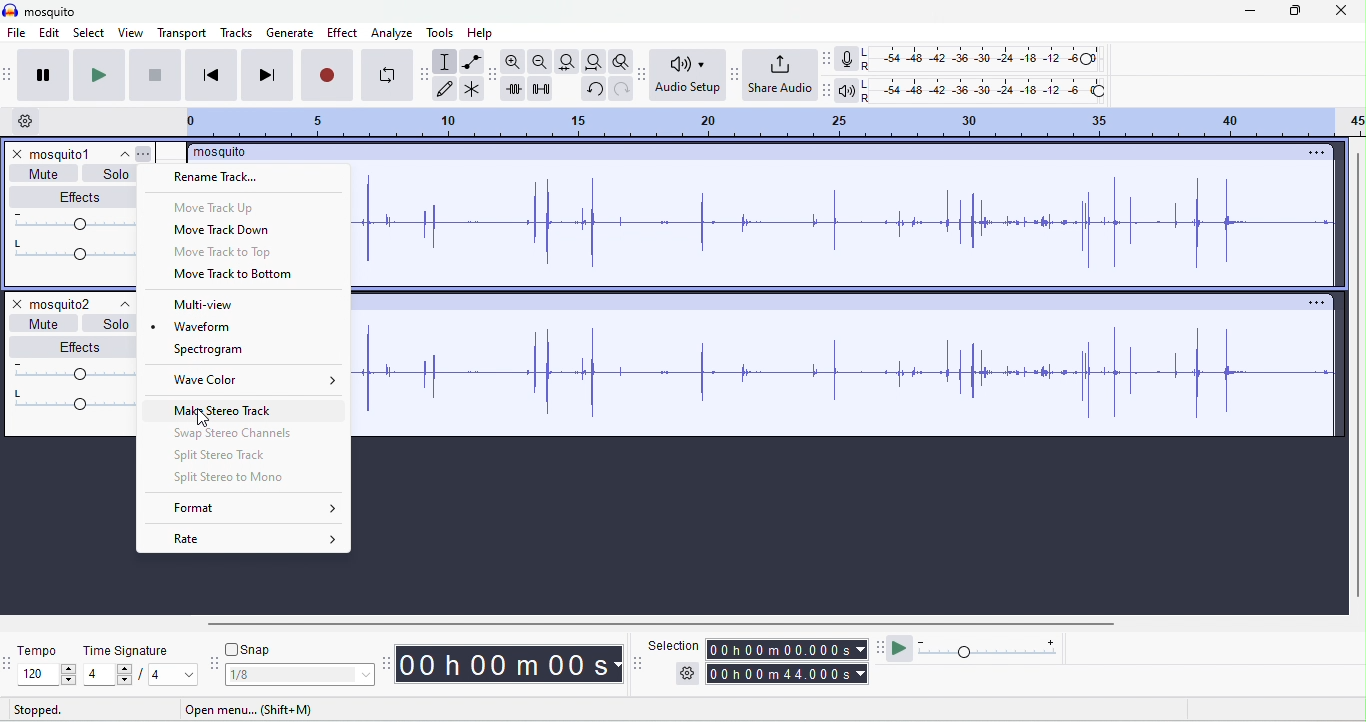  Describe the element at coordinates (773, 123) in the screenshot. I see `timeline` at that location.